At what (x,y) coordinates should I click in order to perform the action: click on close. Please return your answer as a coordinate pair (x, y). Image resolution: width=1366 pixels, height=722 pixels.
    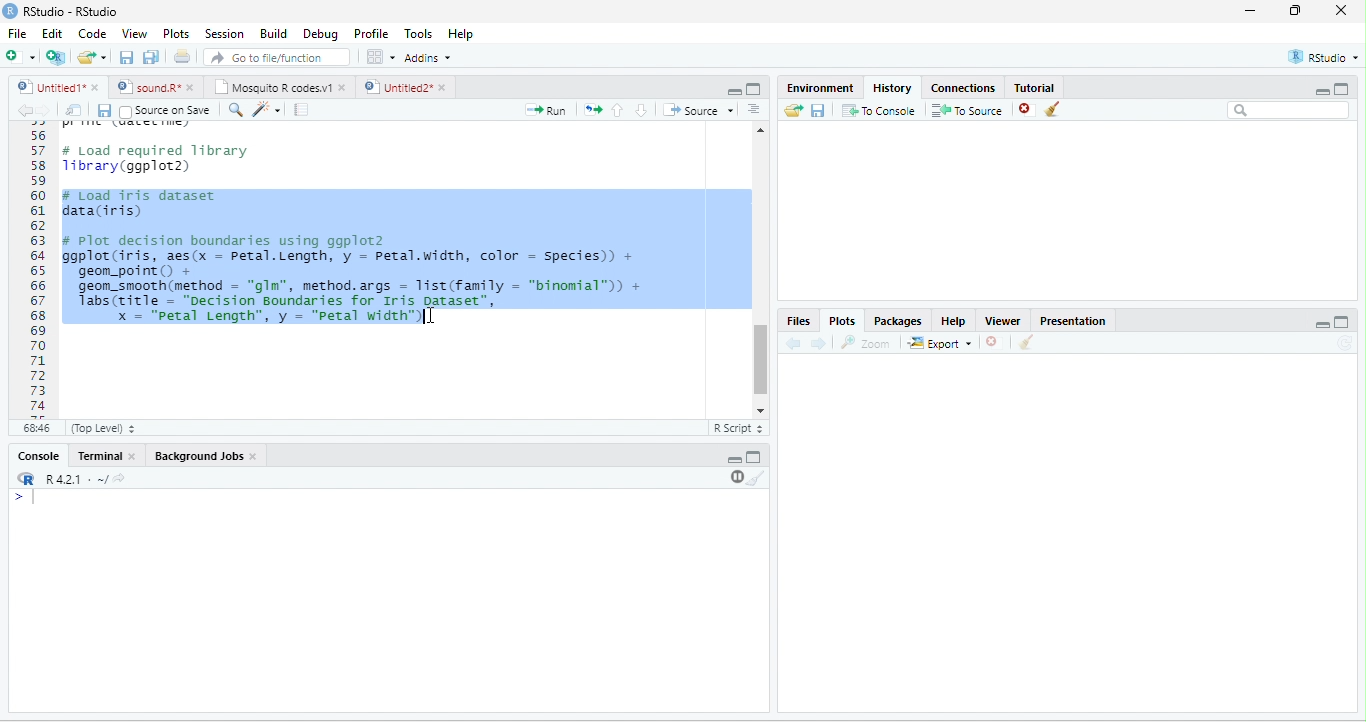
    Looking at the image, I should click on (445, 87).